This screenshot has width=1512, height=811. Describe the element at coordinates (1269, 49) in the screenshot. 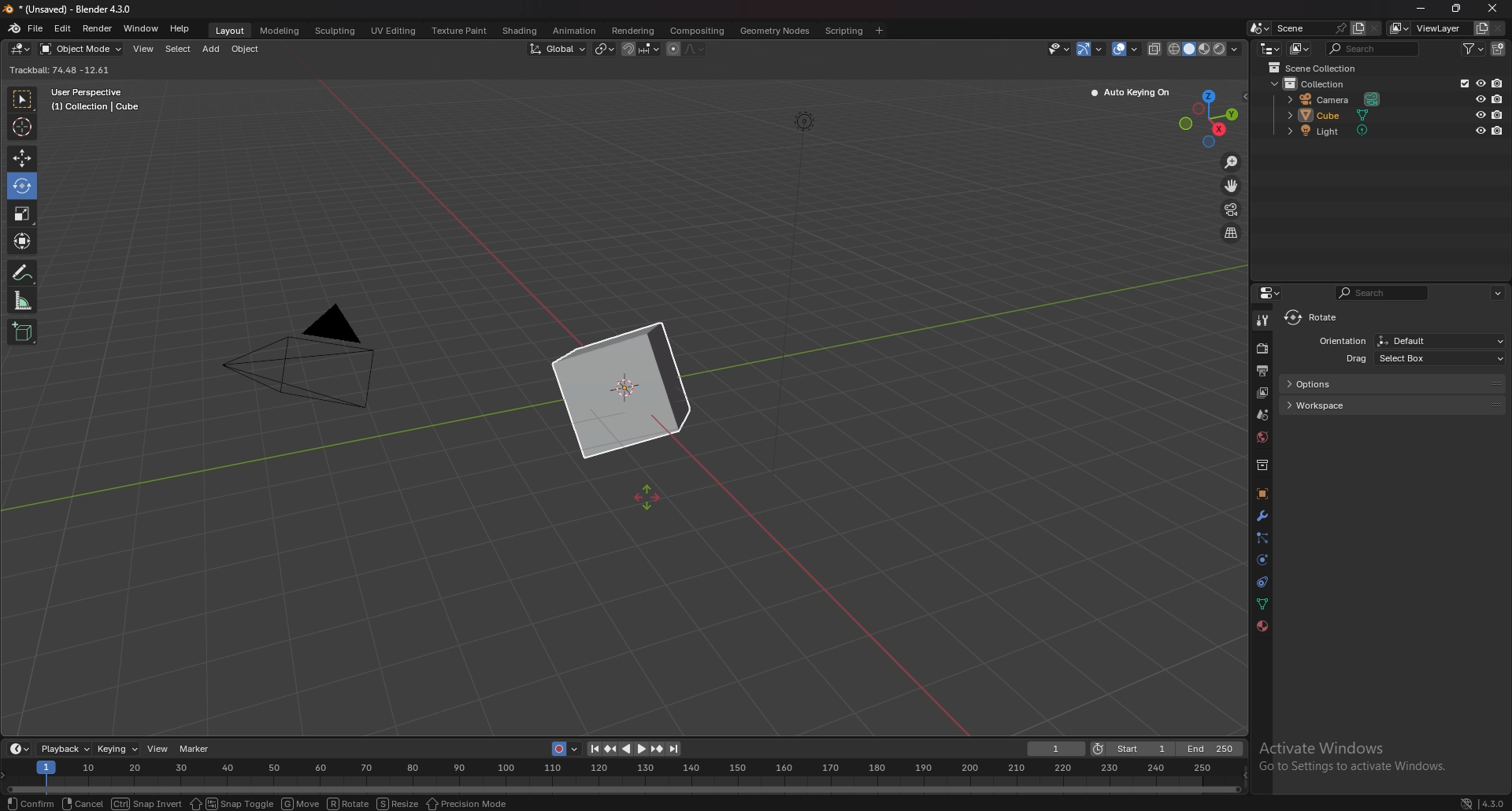

I see `editor type` at that location.